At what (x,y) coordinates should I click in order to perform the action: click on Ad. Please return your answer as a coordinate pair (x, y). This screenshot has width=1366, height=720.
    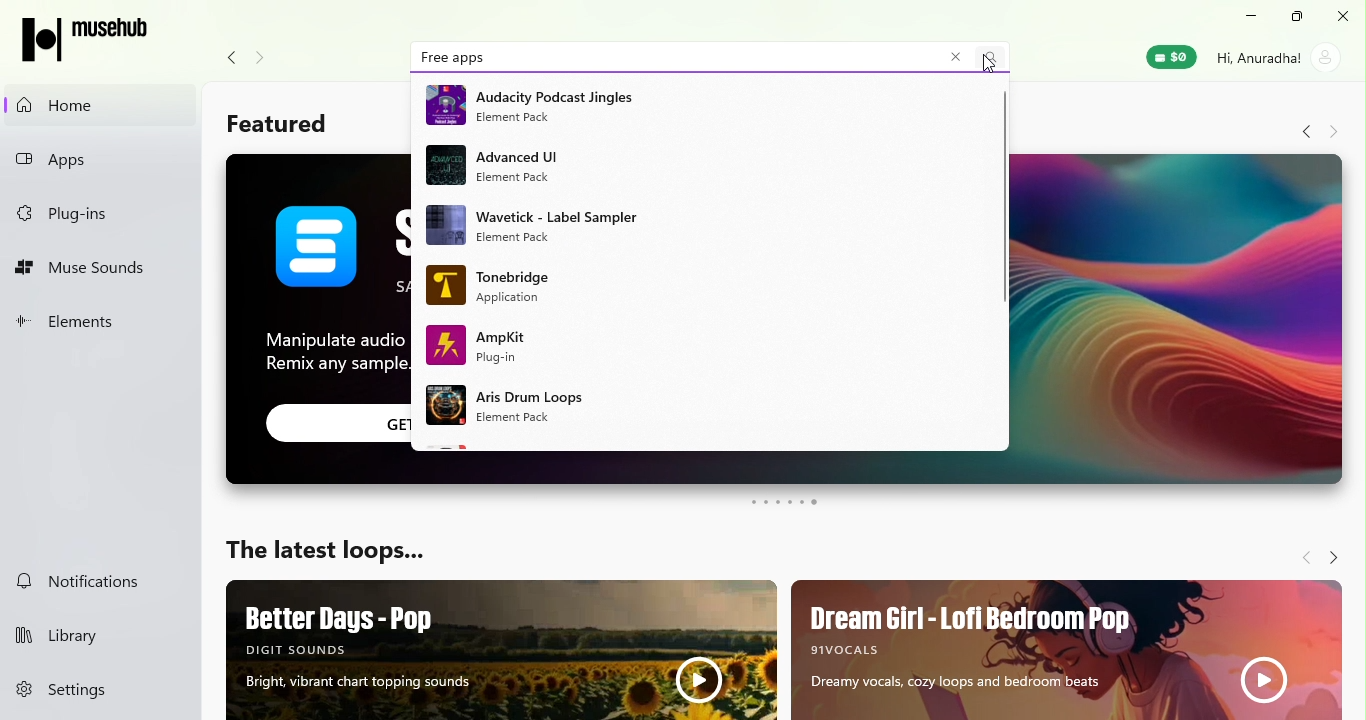
    Looking at the image, I should click on (706, 227).